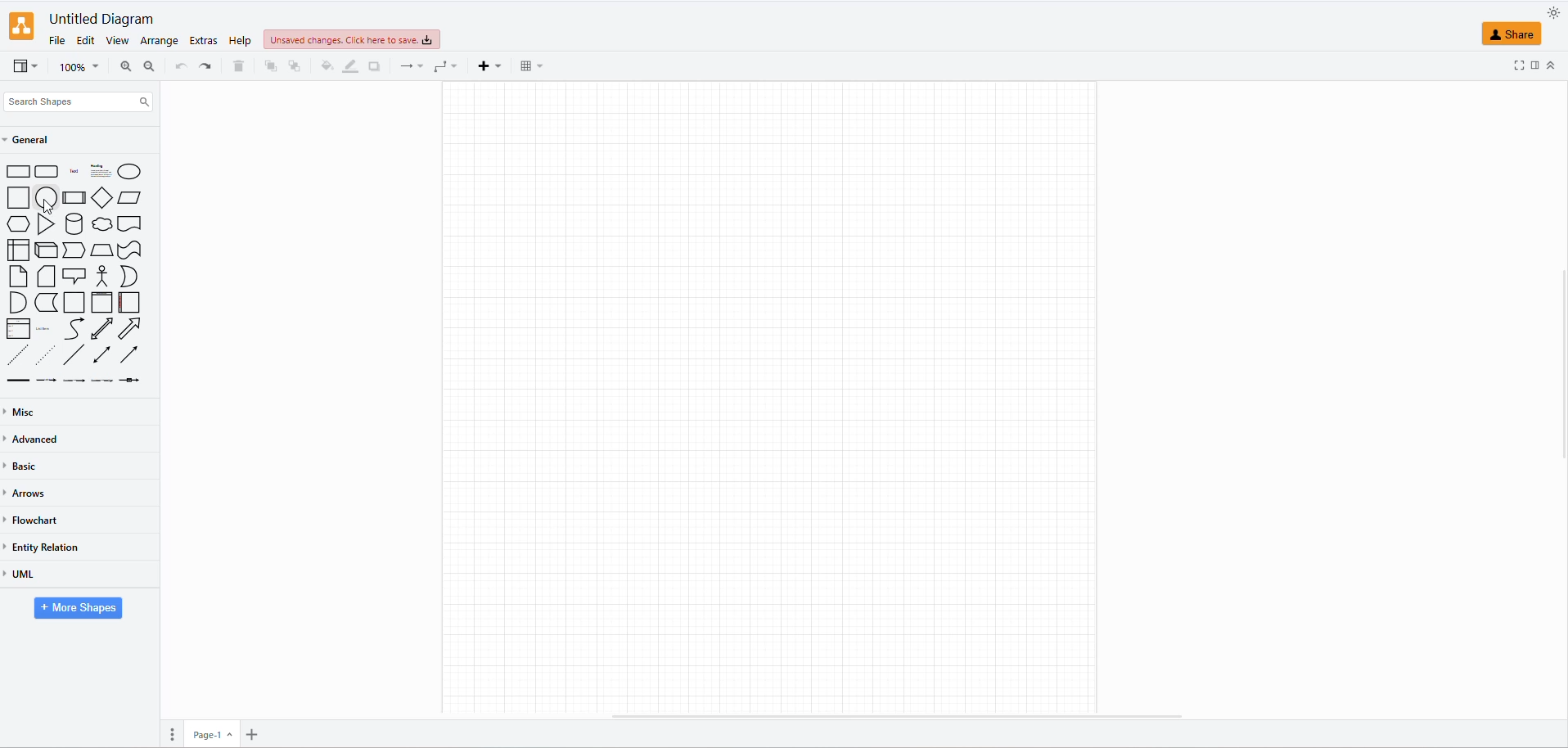 The image size is (1568, 748). Describe the element at coordinates (100, 330) in the screenshot. I see `BIDIRECTIONAL` at that location.